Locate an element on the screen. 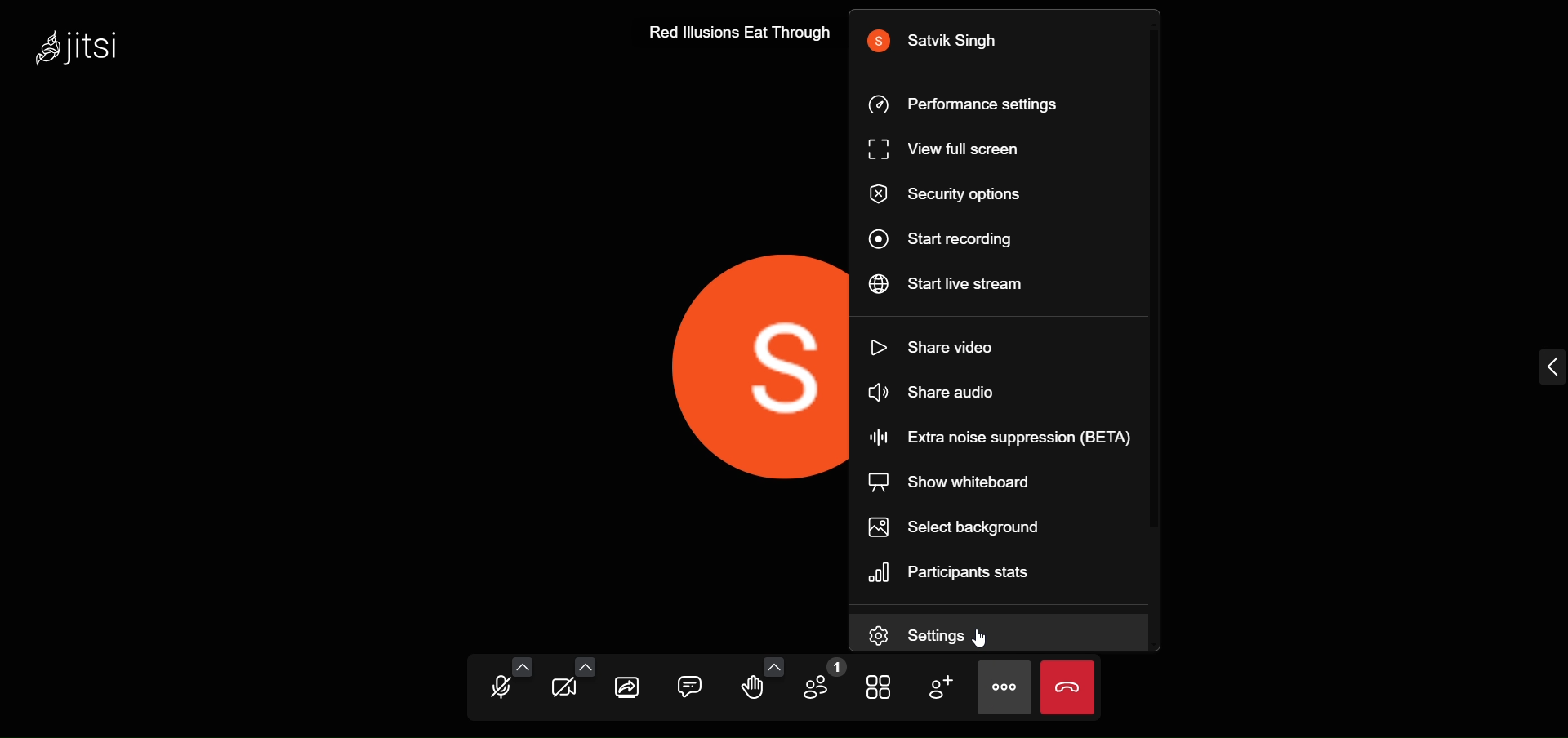 The height and width of the screenshot is (738, 1568). invite people is located at coordinates (944, 689).